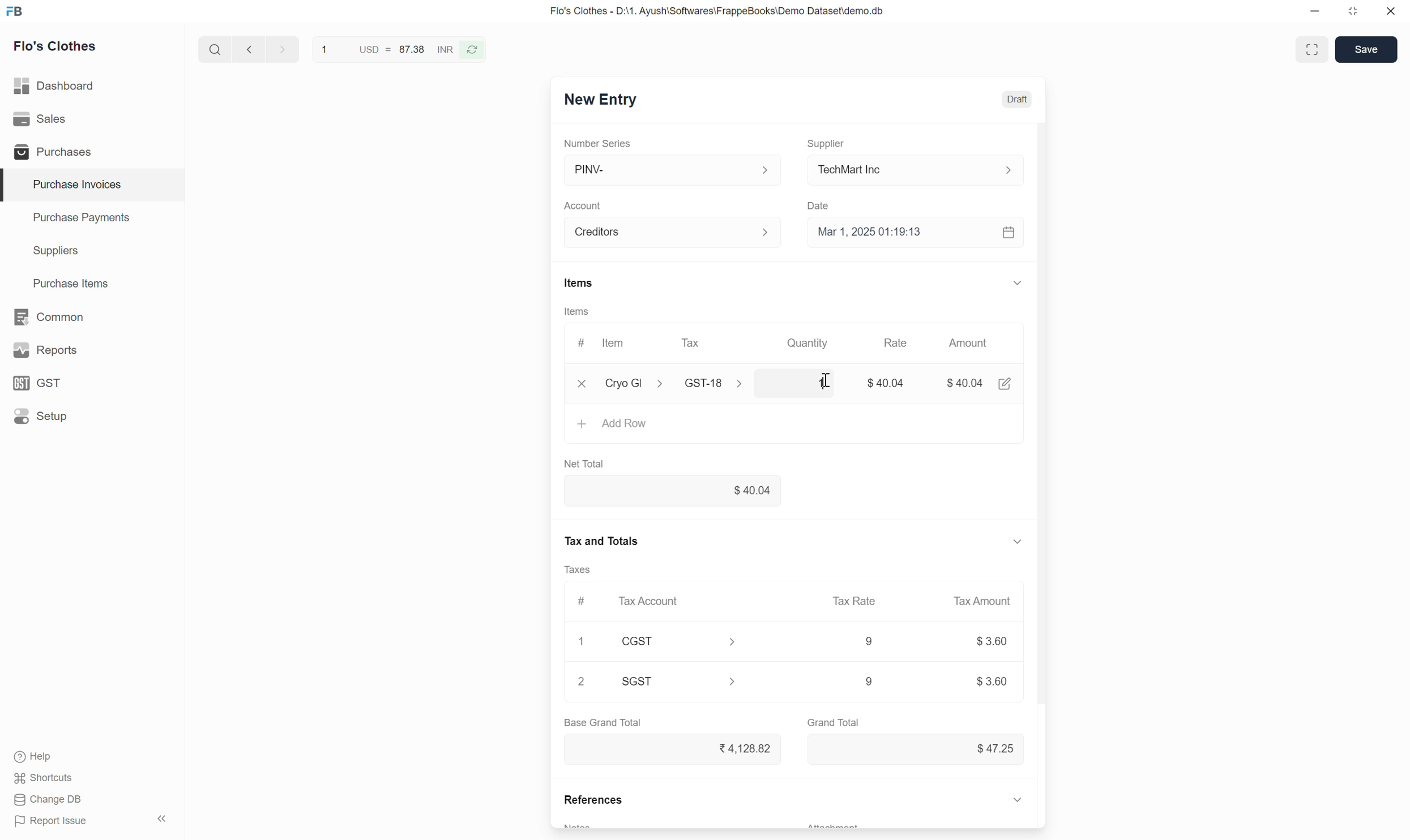  Describe the element at coordinates (616, 423) in the screenshot. I see `+ Add Row` at that location.